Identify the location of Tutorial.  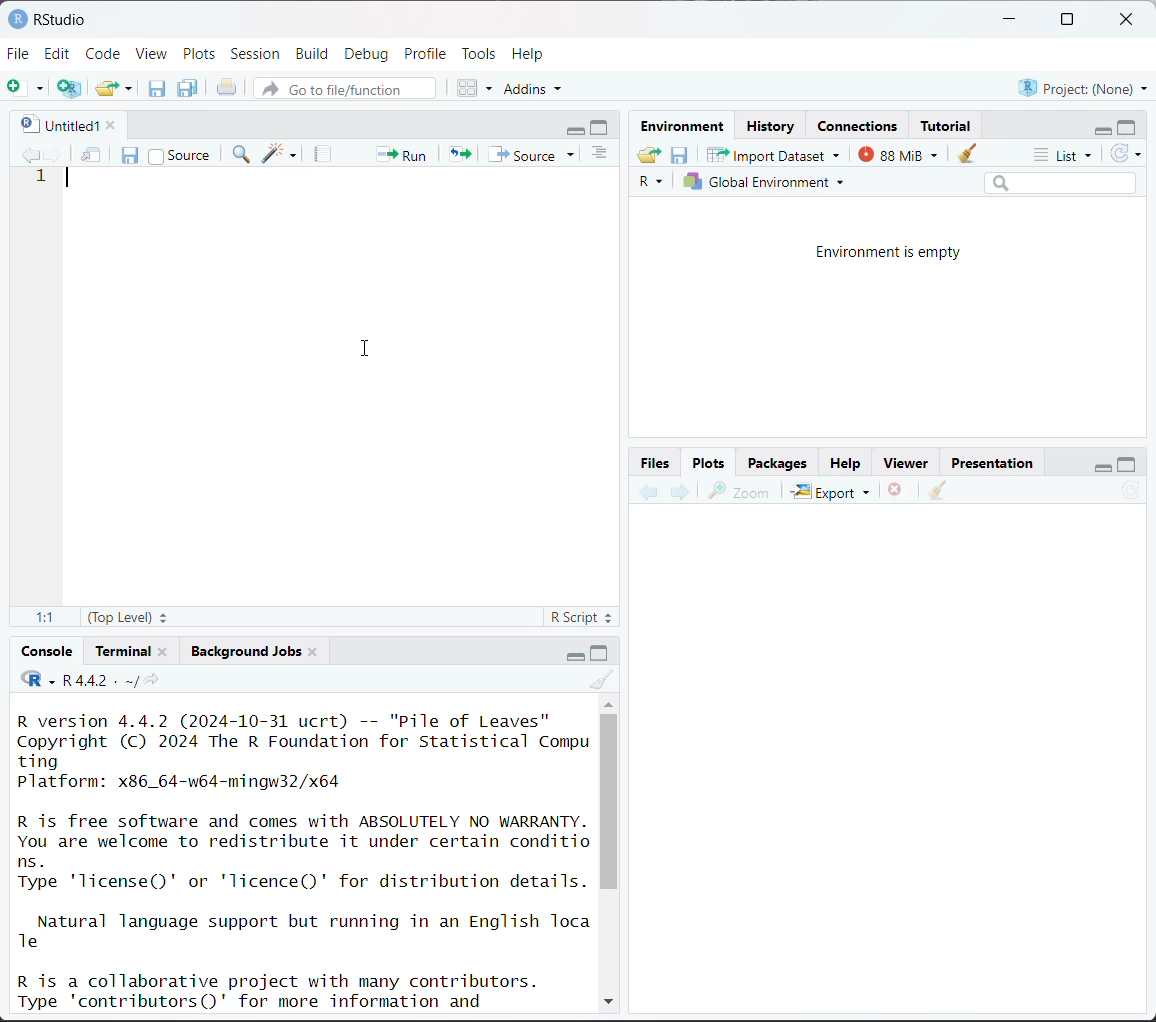
(948, 123).